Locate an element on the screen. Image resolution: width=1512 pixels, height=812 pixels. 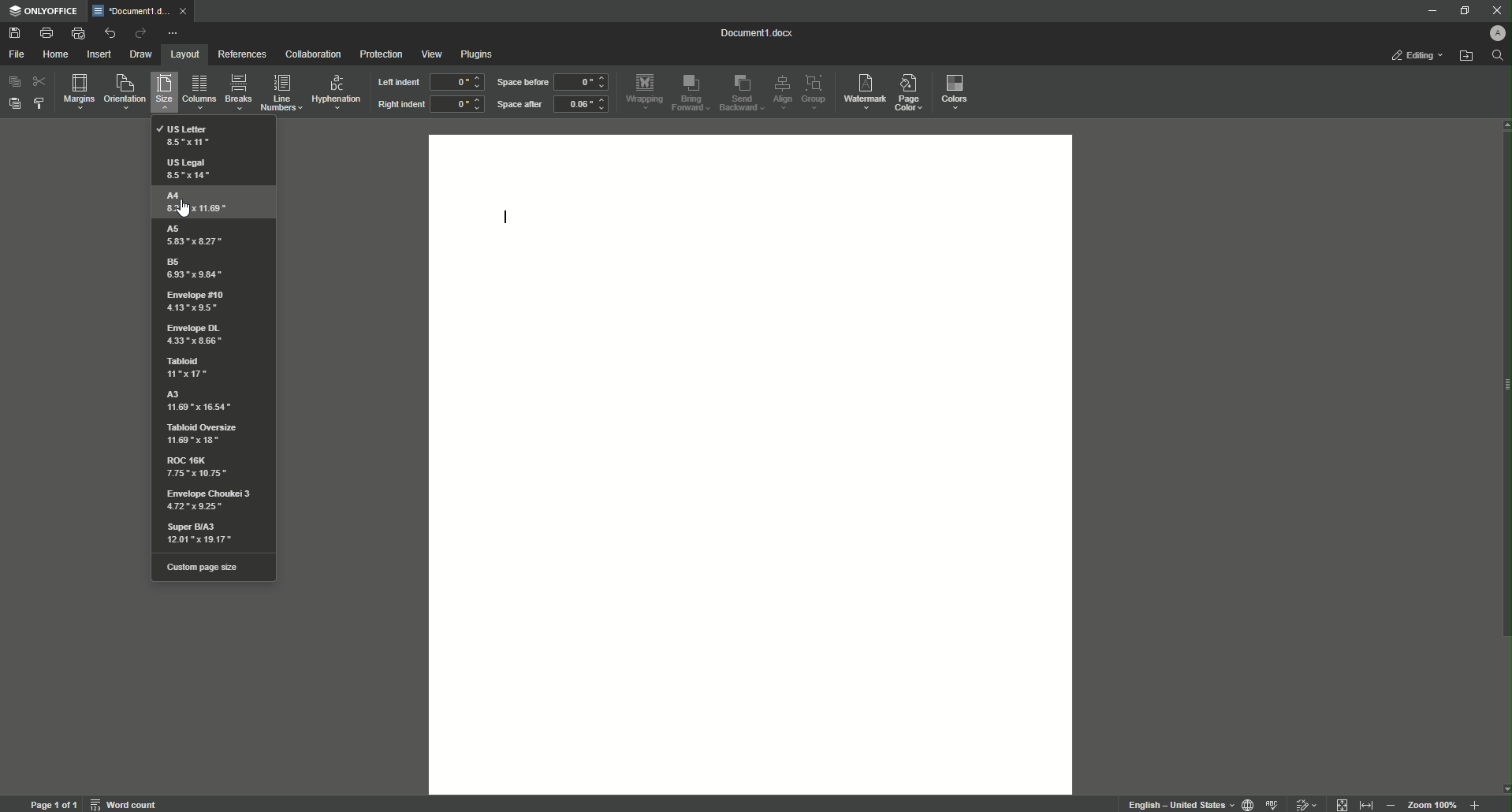
Line Numbers is located at coordinates (281, 94).